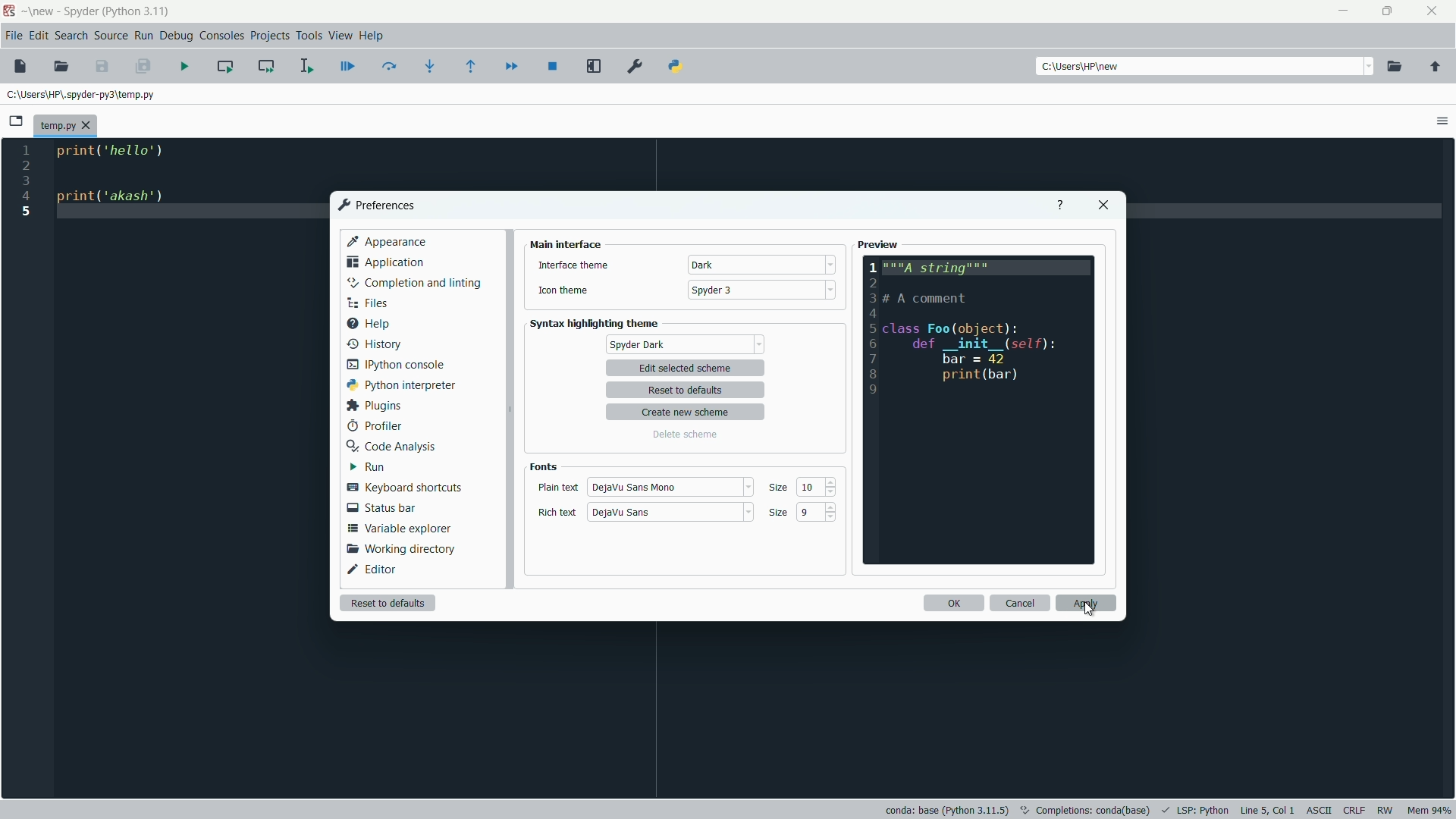 The width and height of the screenshot is (1456, 819). Describe the element at coordinates (431, 65) in the screenshot. I see `step into function` at that location.